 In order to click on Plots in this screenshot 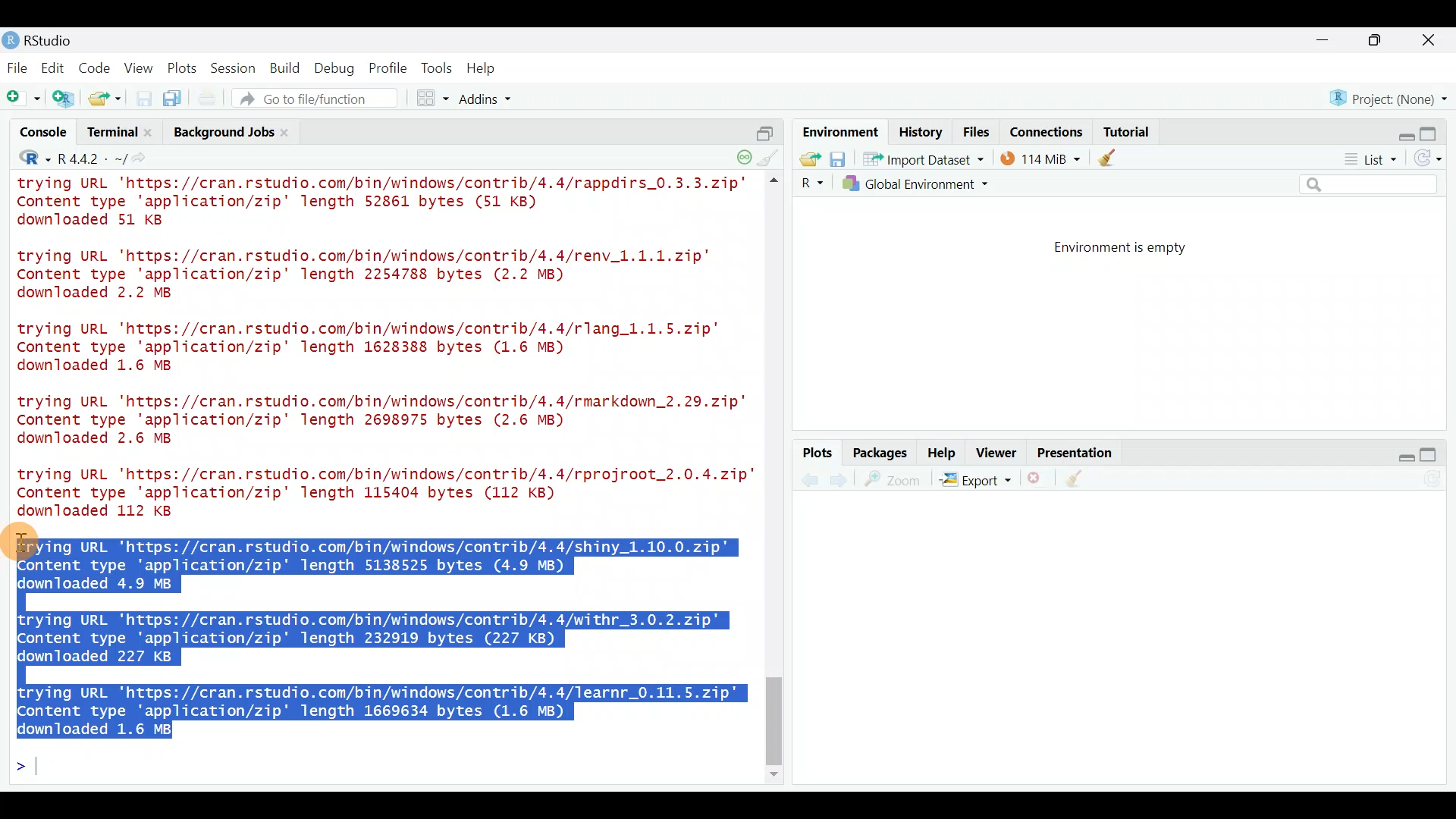, I will do `click(183, 65)`.